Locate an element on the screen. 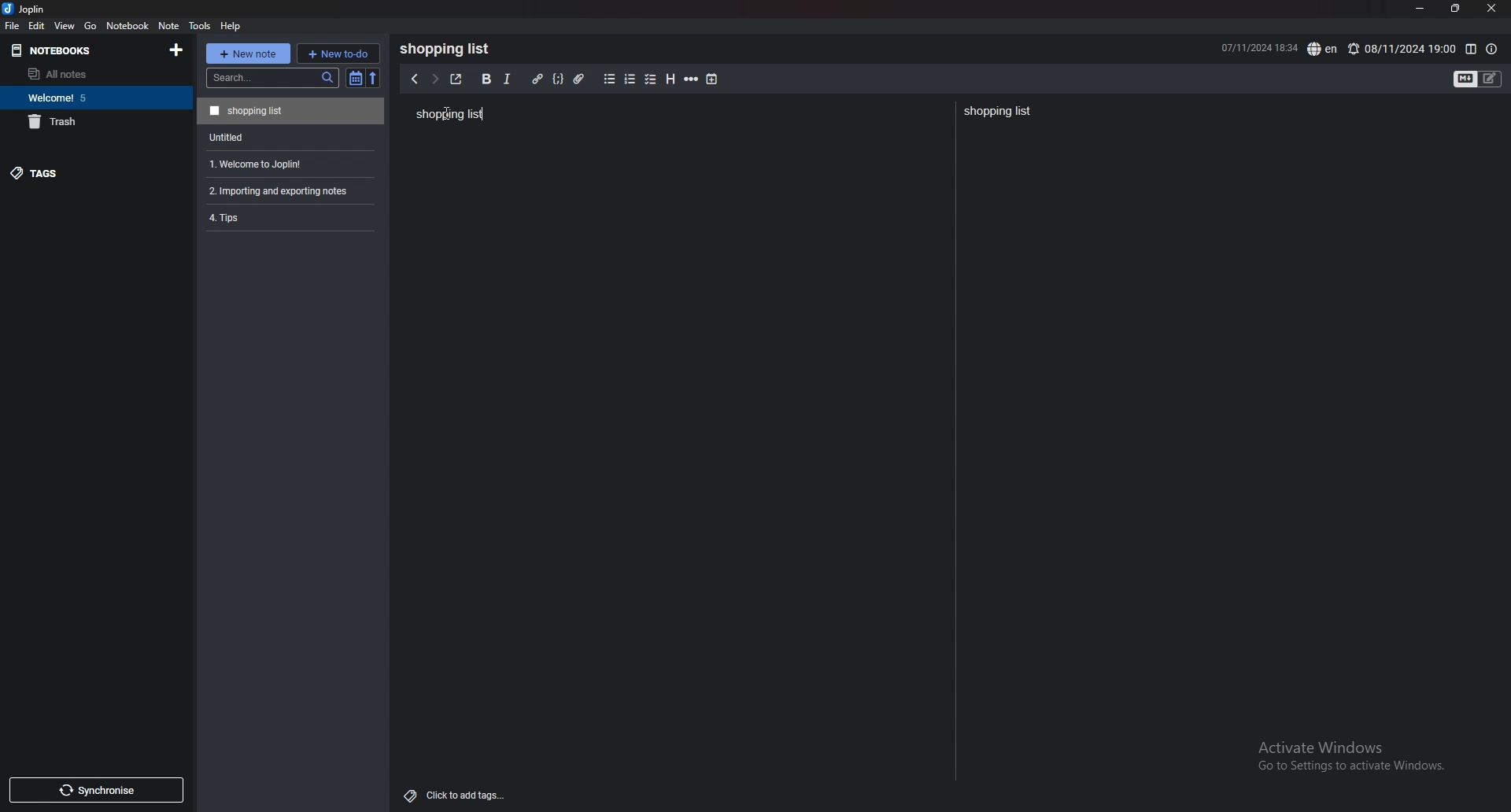 The image size is (1511, 812). numbered list is located at coordinates (630, 79).